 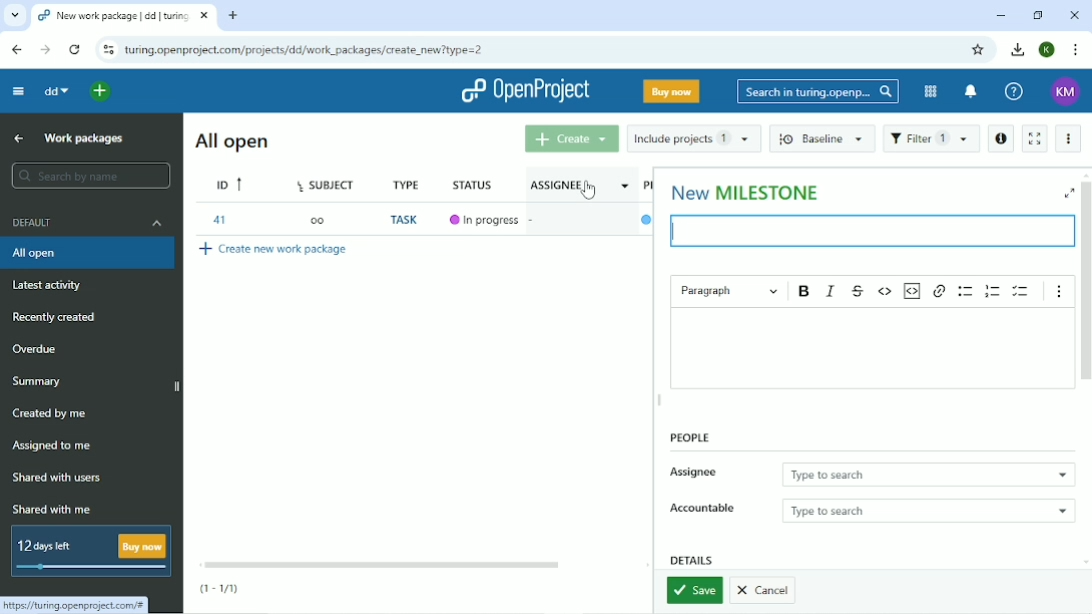 I want to click on Subject, so click(x=329, y=183).